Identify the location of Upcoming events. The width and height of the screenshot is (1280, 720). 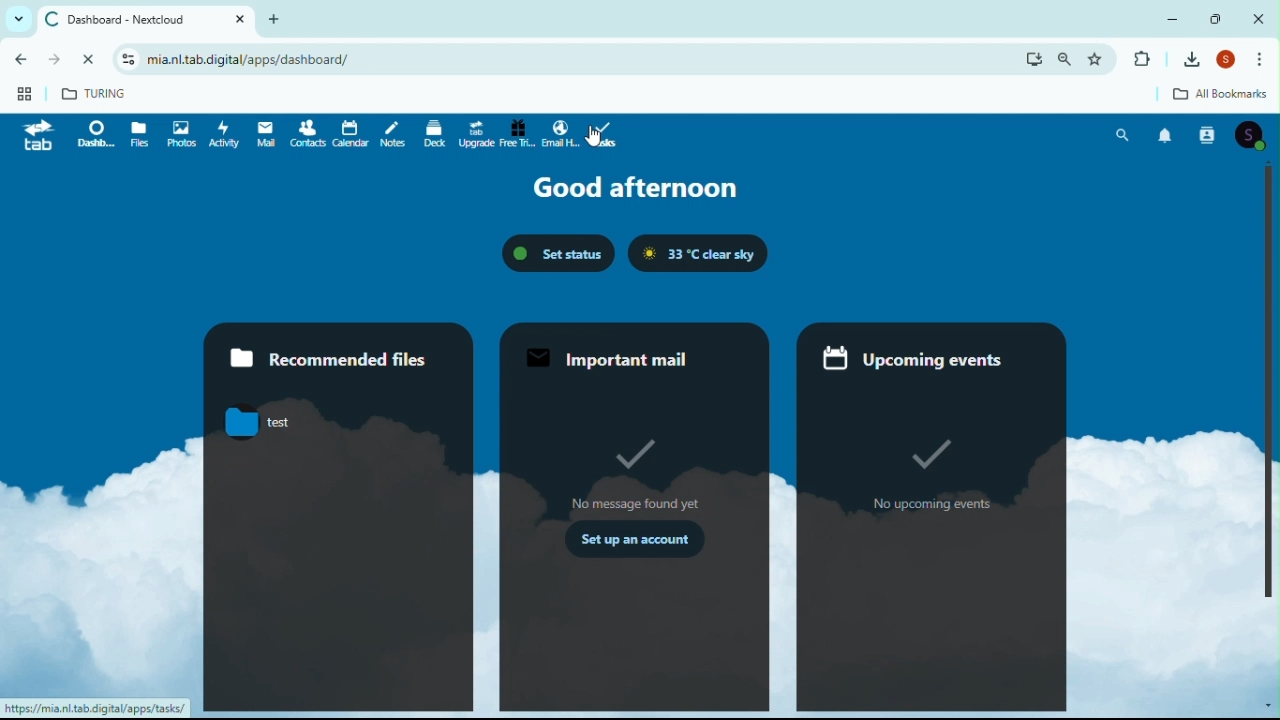
(932, 354).